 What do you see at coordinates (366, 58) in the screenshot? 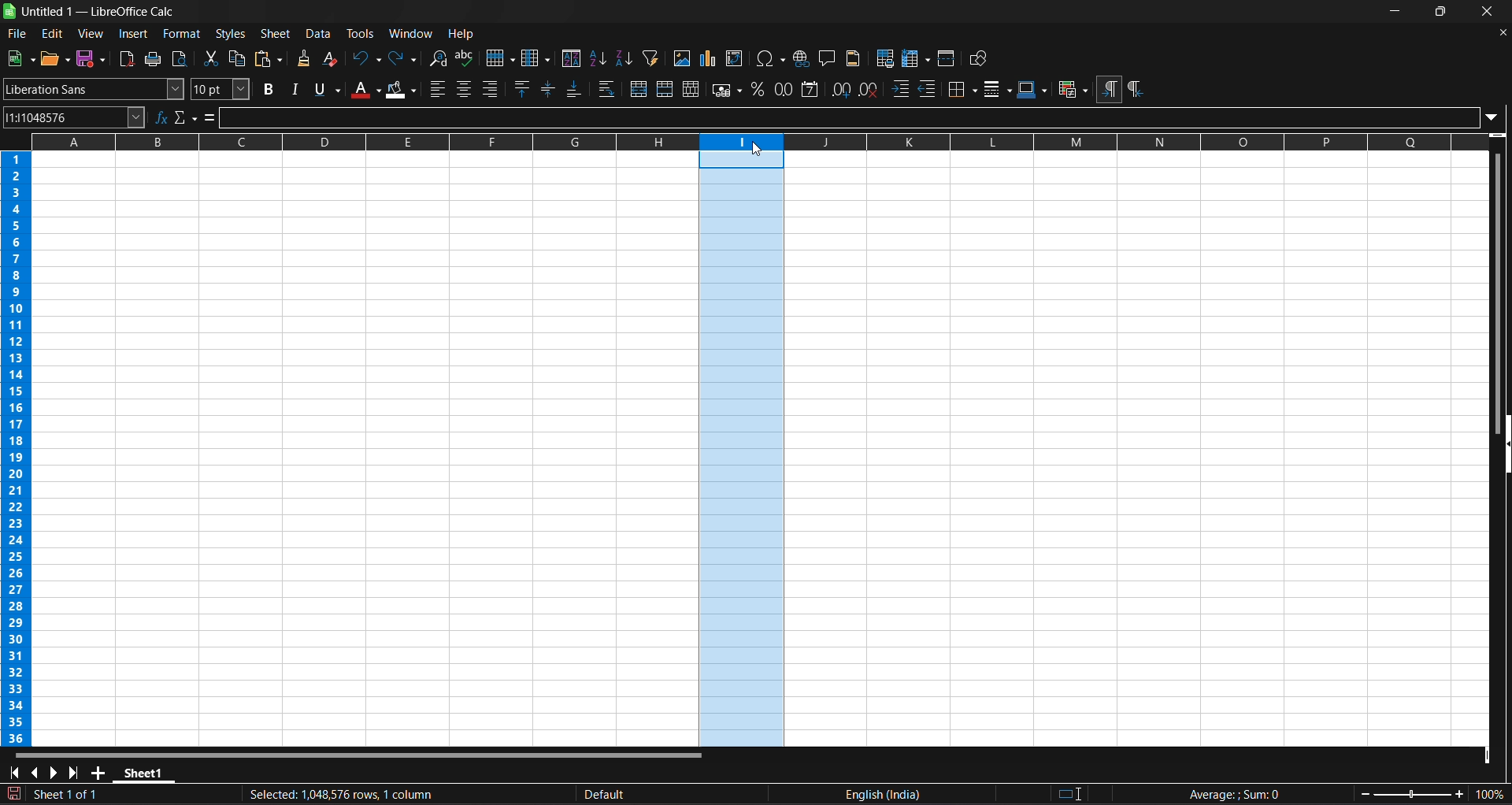
I see `undo` at bounding box center [366, 58].